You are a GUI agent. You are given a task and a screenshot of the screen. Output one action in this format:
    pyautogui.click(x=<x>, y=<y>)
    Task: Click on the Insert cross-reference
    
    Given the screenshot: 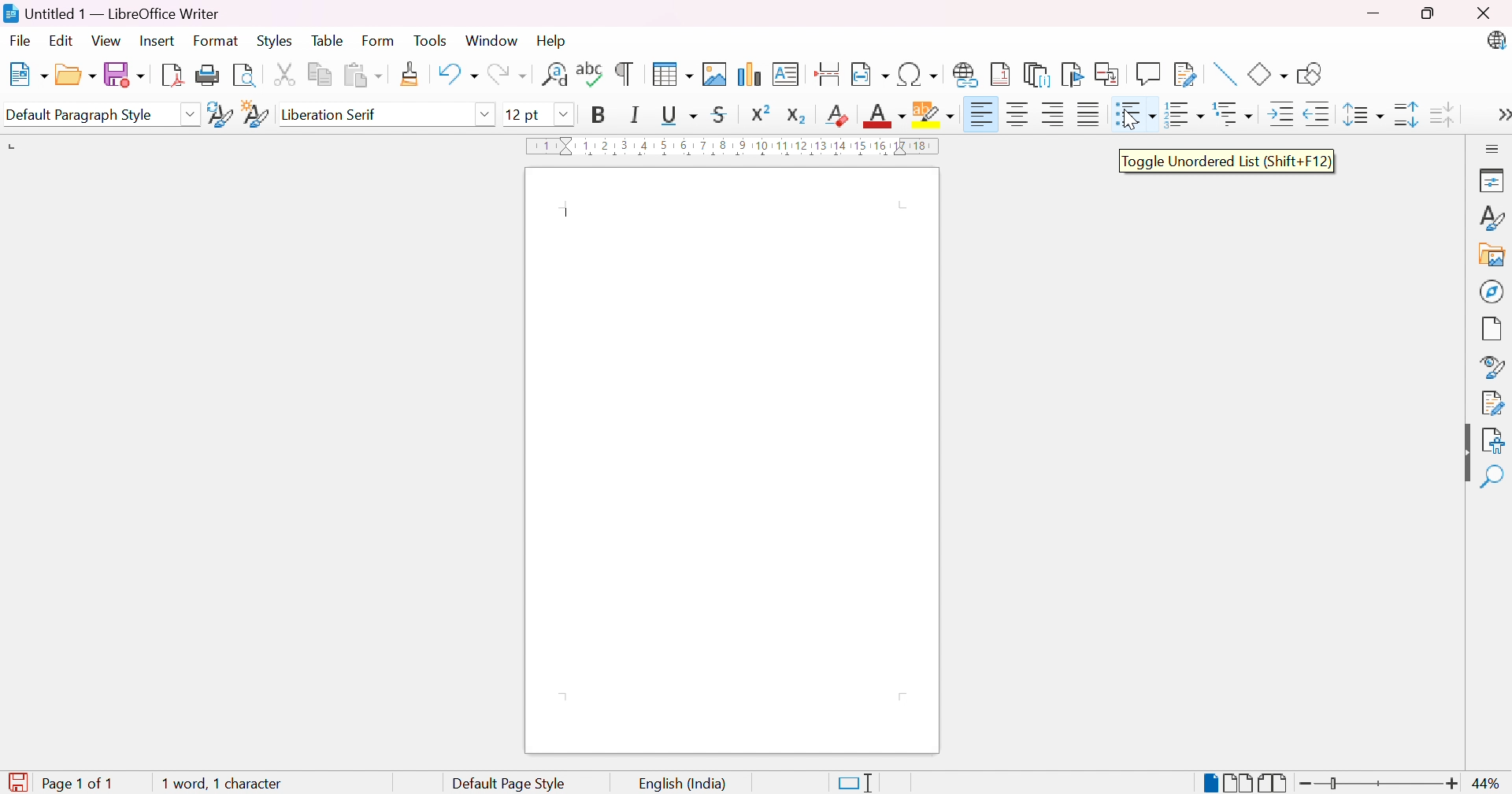 What is the action you would take?
    pyautogui.click(x=1109, y=75)
    